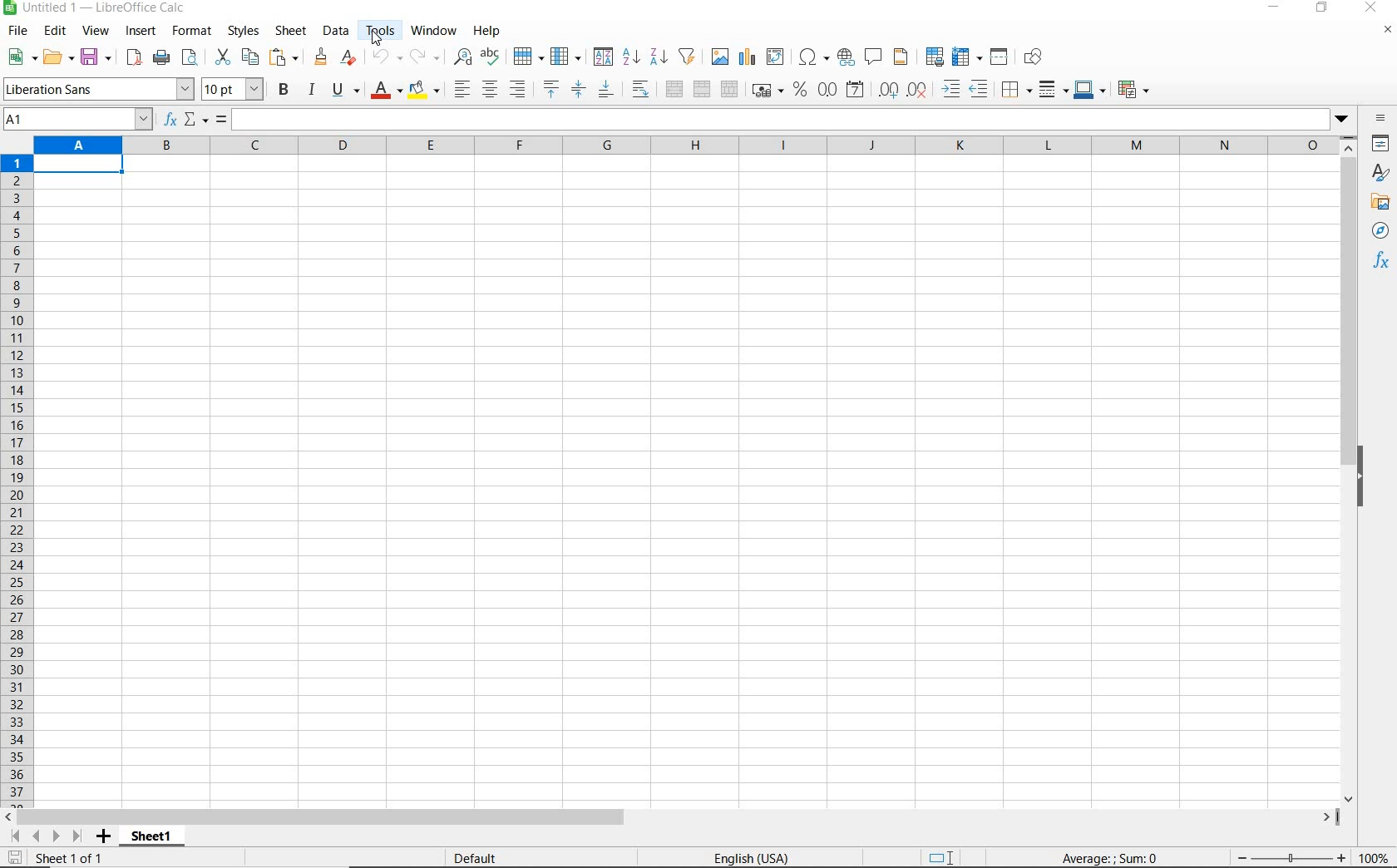 This screenshot has height=868, width=1397. I want to click on GALLERY, so click(1380, 201).